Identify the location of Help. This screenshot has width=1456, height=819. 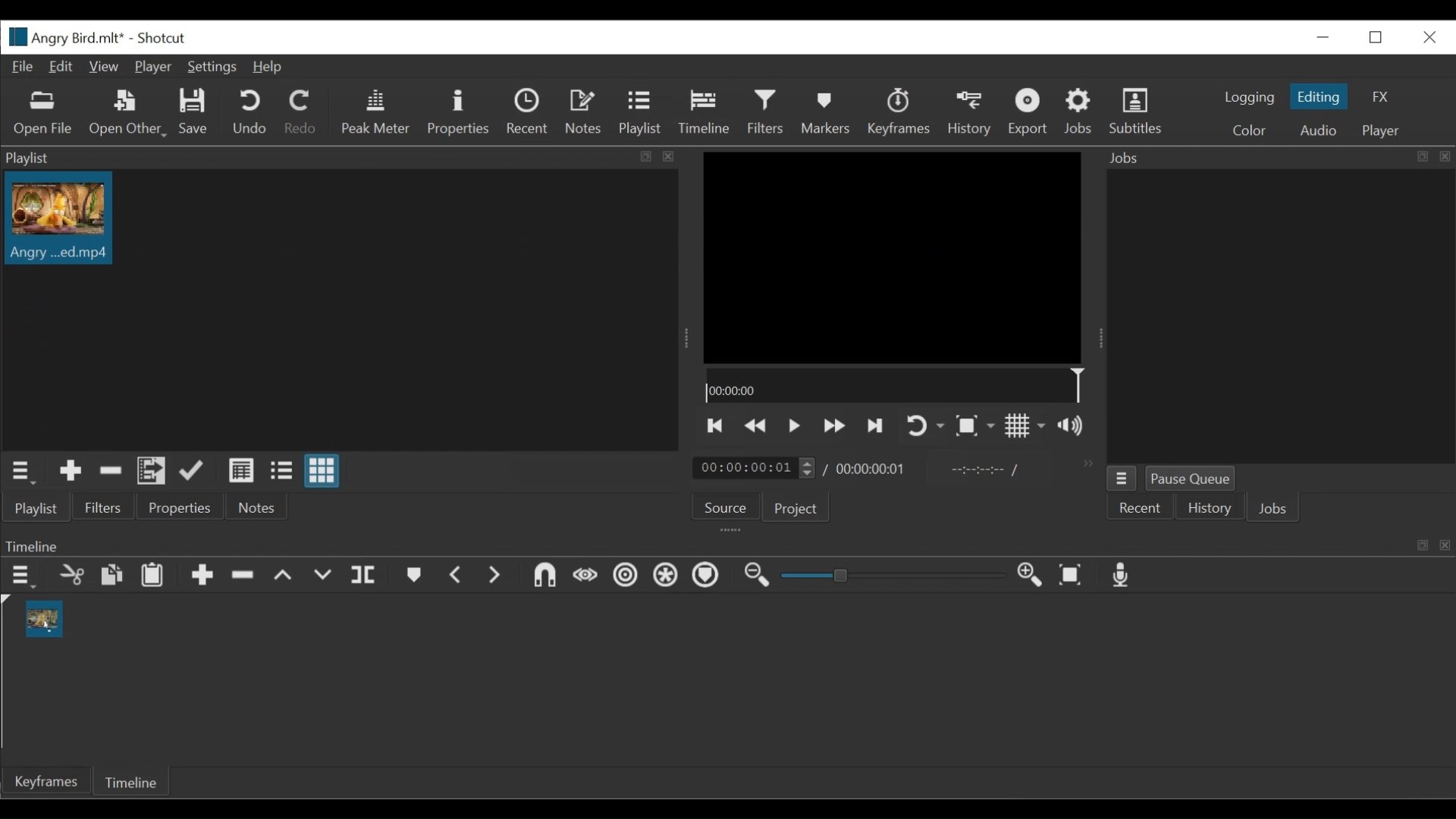
(268, 67).